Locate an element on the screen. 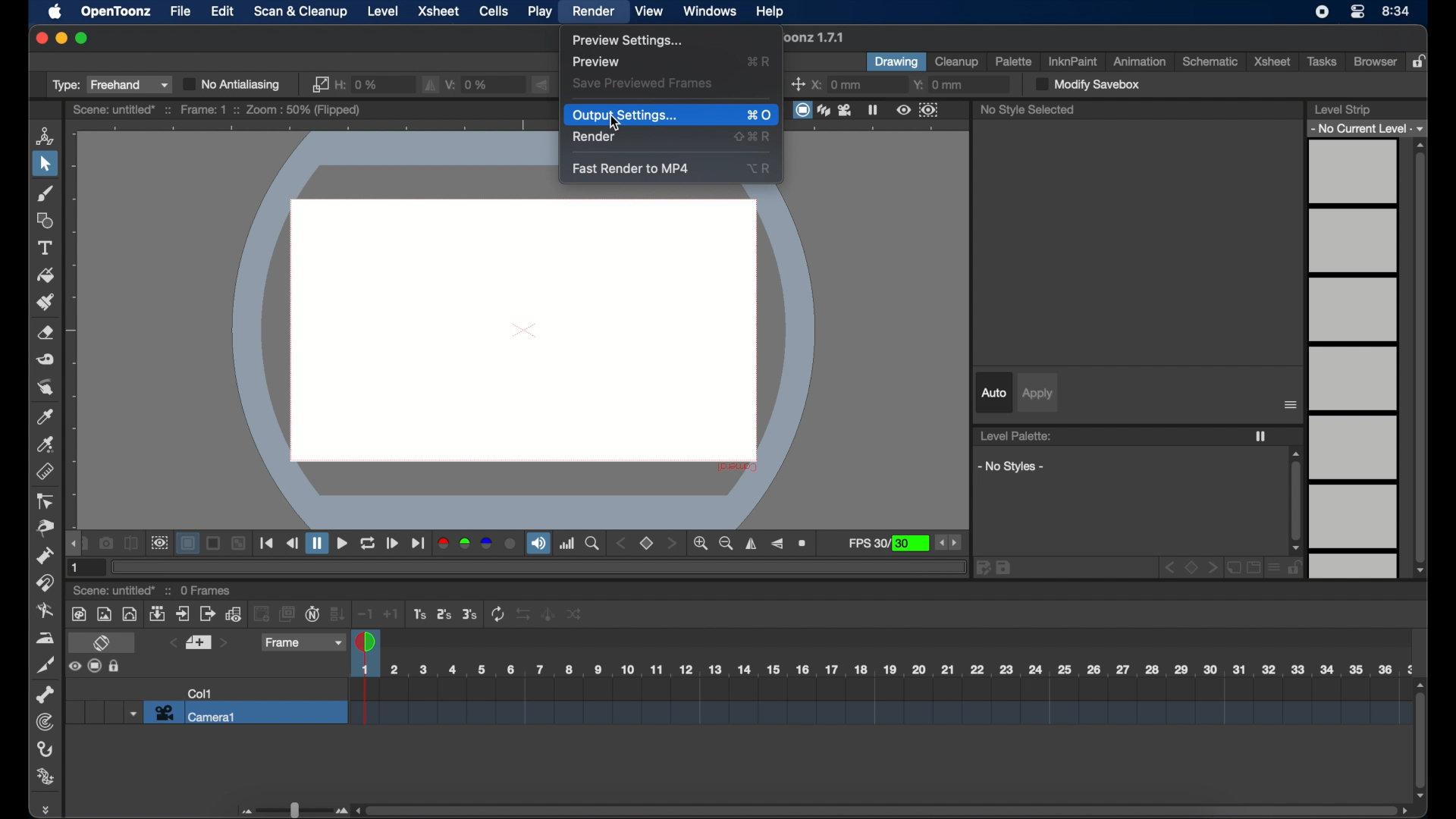  scene scale is located at coordinates (883, 666).